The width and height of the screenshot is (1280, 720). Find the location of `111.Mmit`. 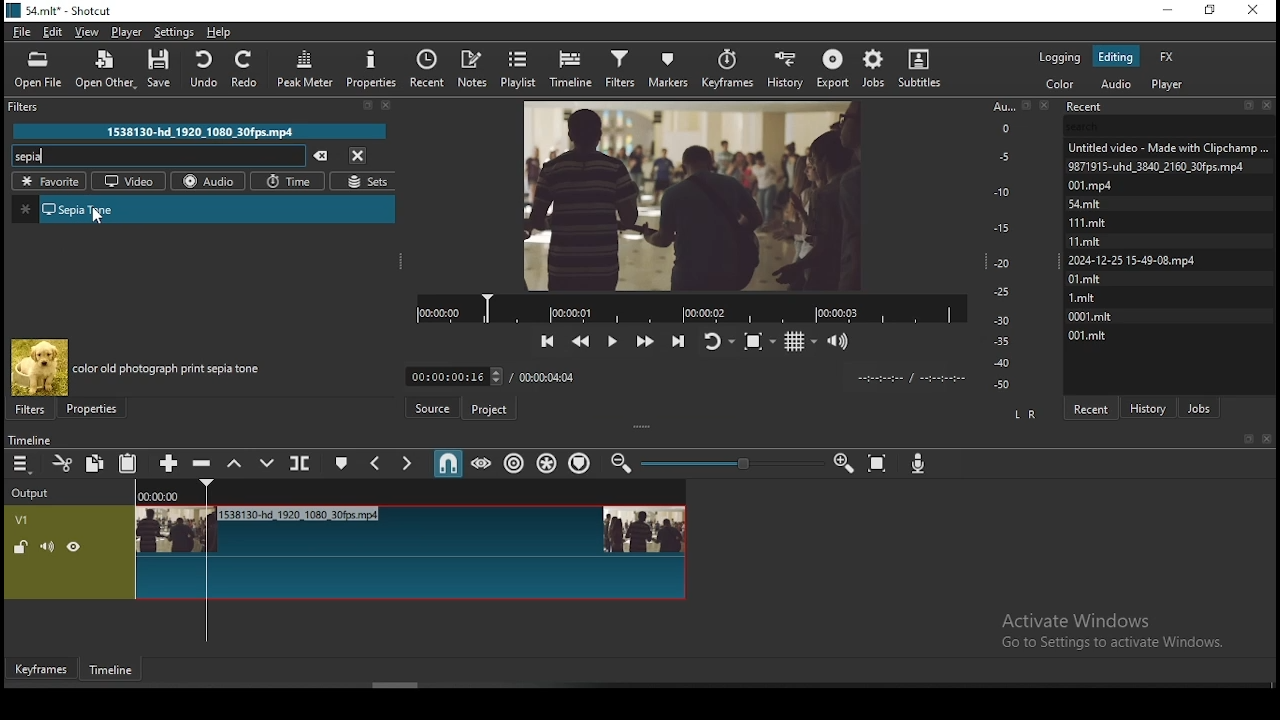

111.Mmit is located at coordinates (1089, 221).